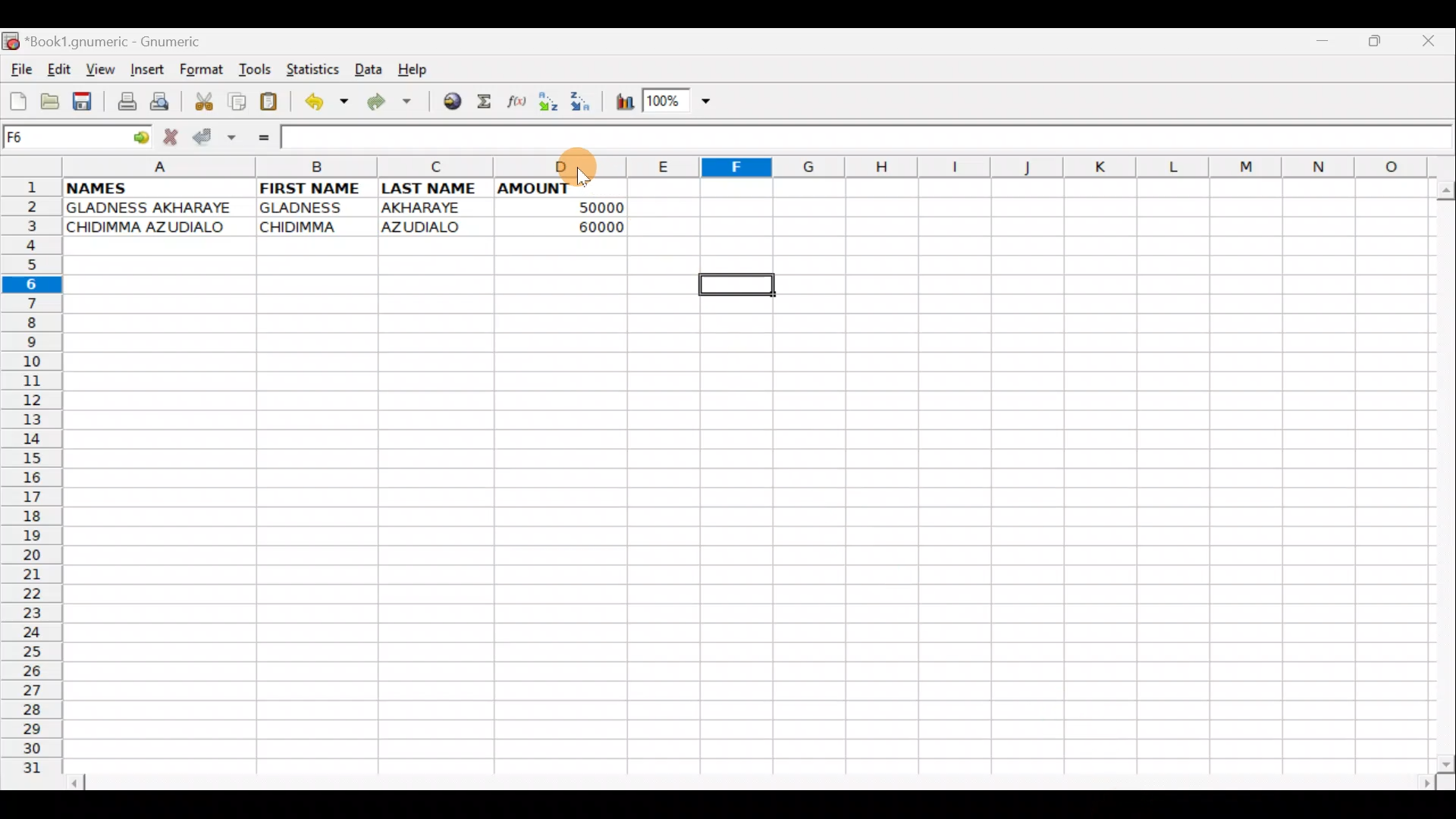  What do you see at coordinates (101, 69) in the screenshot?
I see `View` at bounding box center [101, 69].